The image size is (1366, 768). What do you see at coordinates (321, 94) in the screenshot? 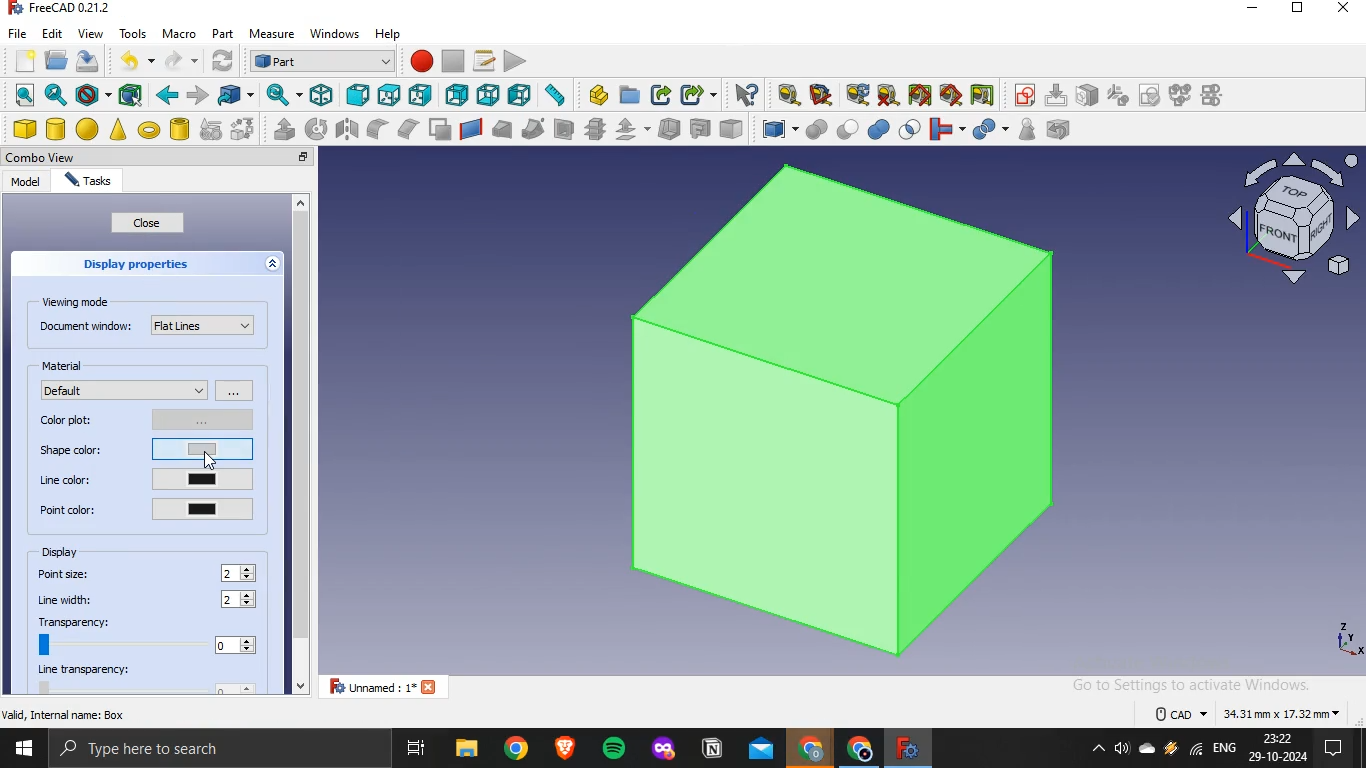
I see `isometric` at bounding box center [321, 94].